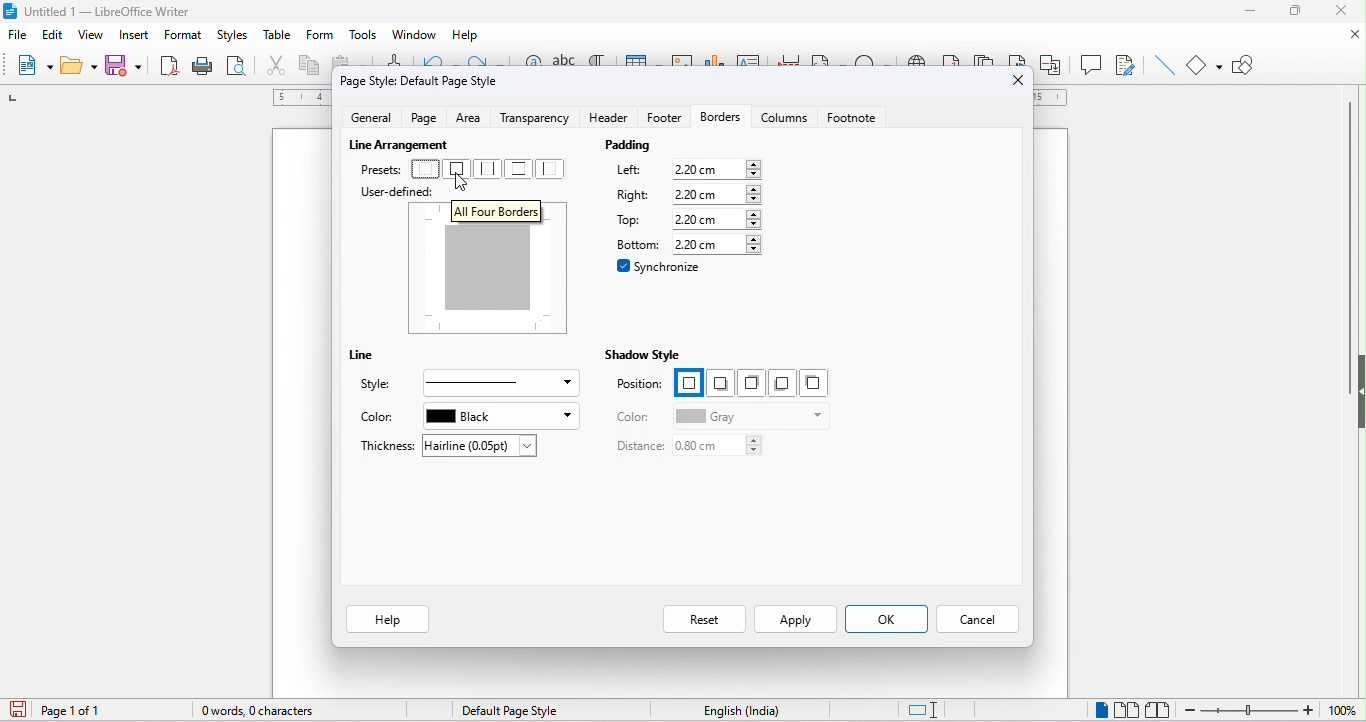  Describe the element at coordinates (537, 119) in the screenshot. I see `transparency` at that location.